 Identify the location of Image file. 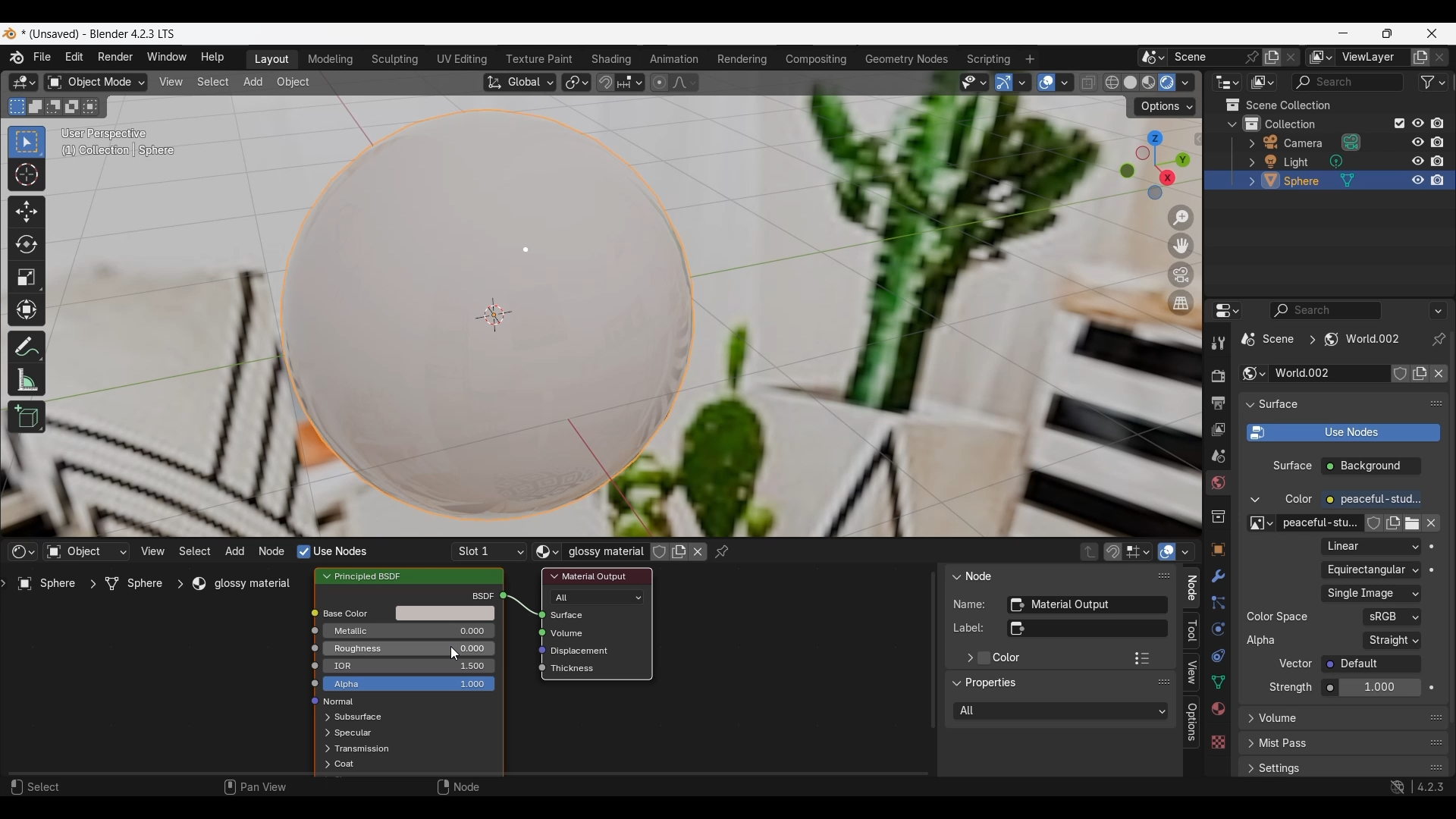
(1371, 594).